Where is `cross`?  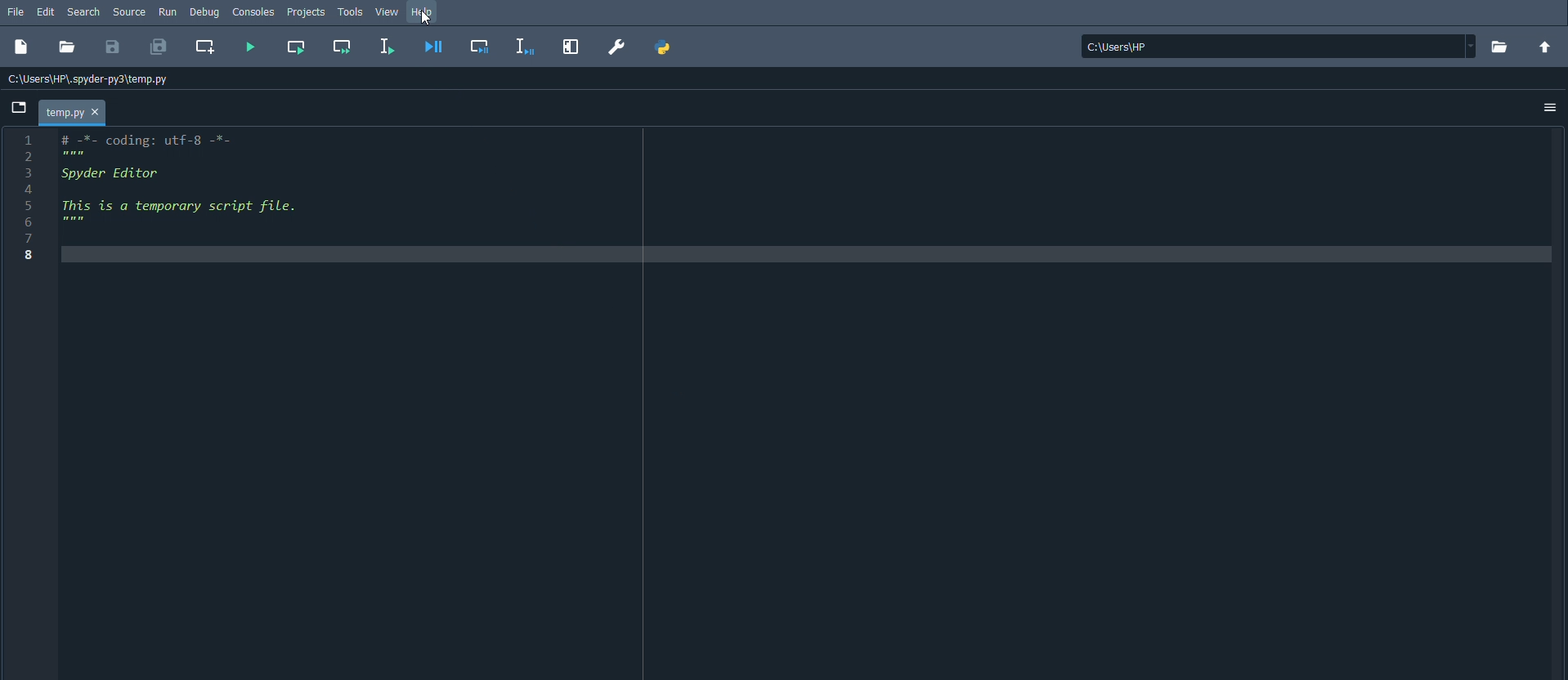 cross is located at coordinates (95, 112).